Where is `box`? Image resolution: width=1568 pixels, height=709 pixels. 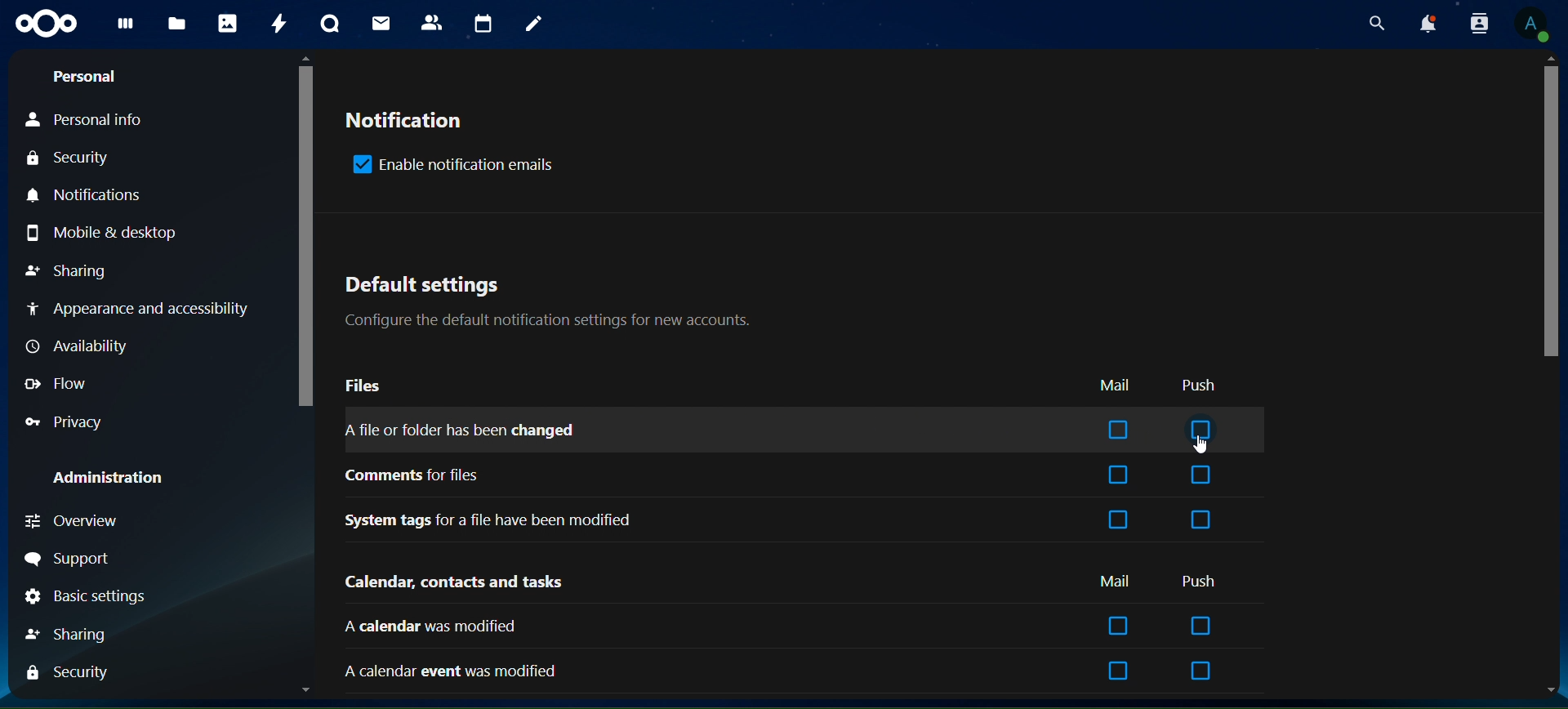 box is located at coordinates (1118, 476).